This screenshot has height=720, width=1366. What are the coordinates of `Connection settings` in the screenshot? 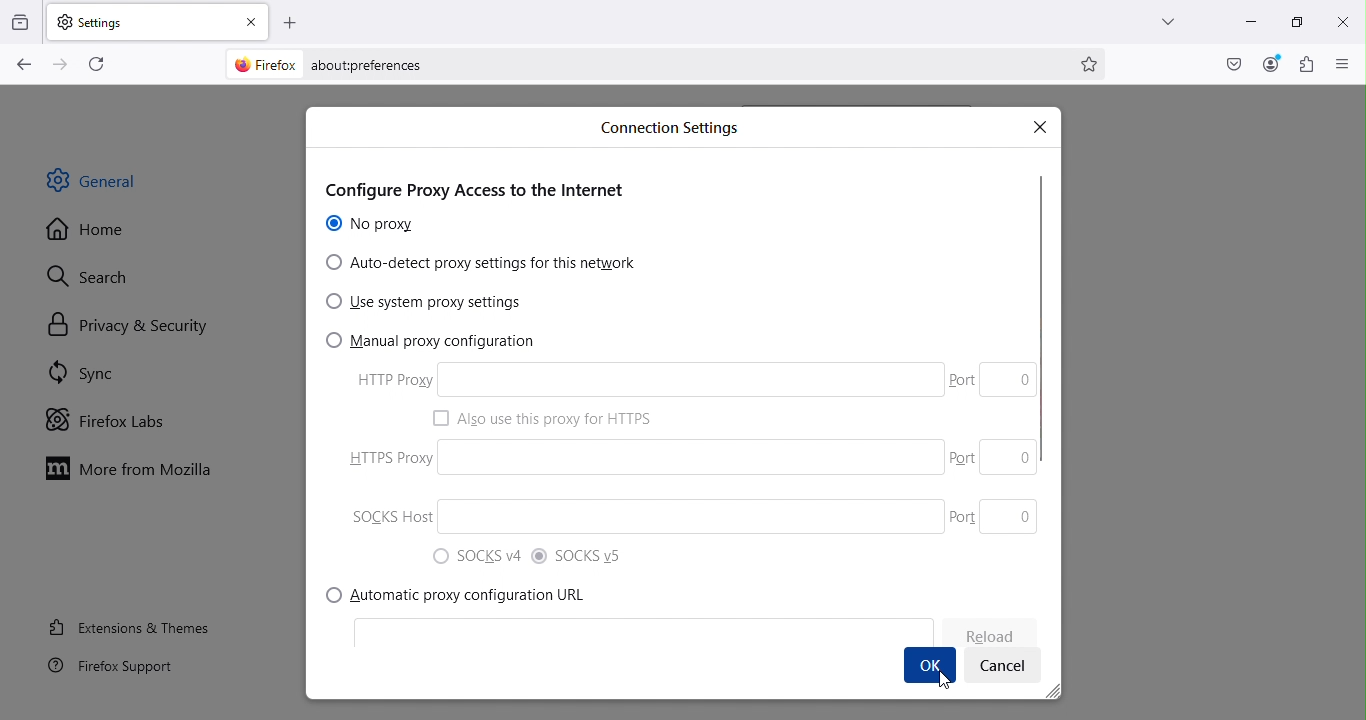 It's located at (678, 131).